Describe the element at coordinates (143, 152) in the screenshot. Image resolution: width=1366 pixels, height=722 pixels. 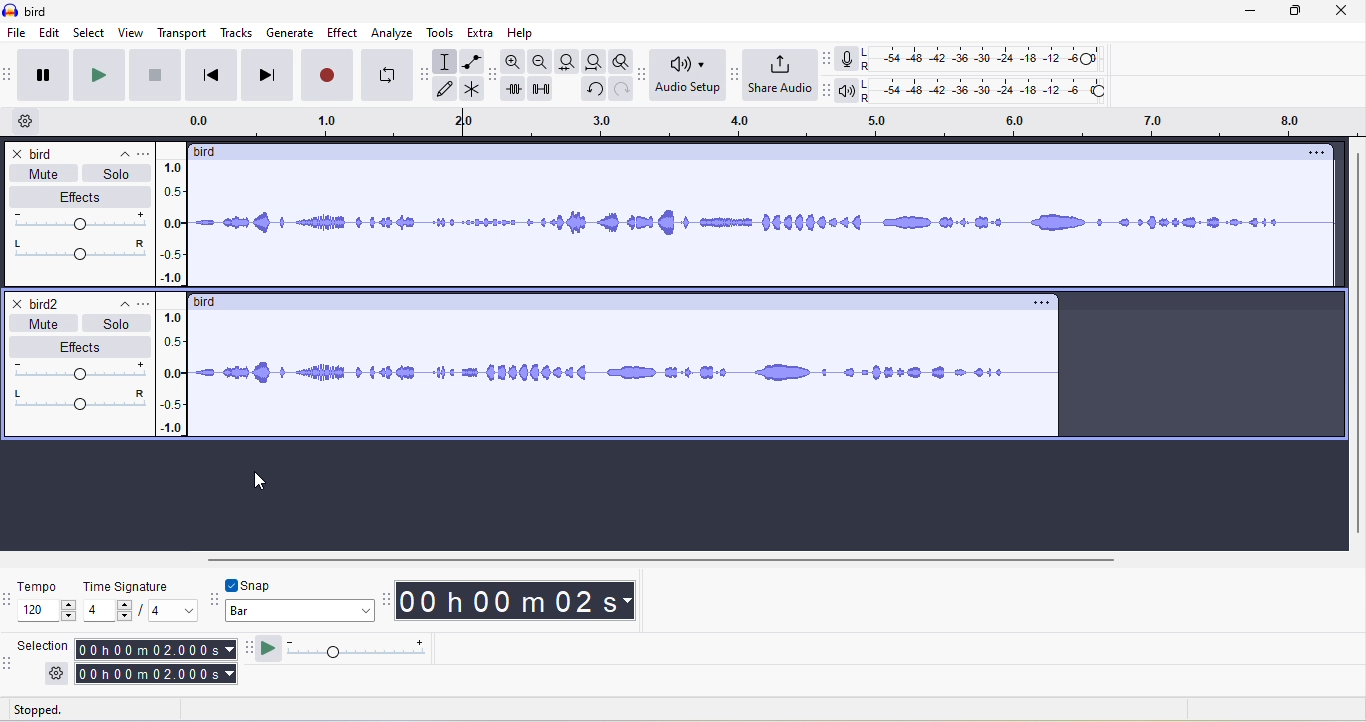
I see `open menu` at that location.